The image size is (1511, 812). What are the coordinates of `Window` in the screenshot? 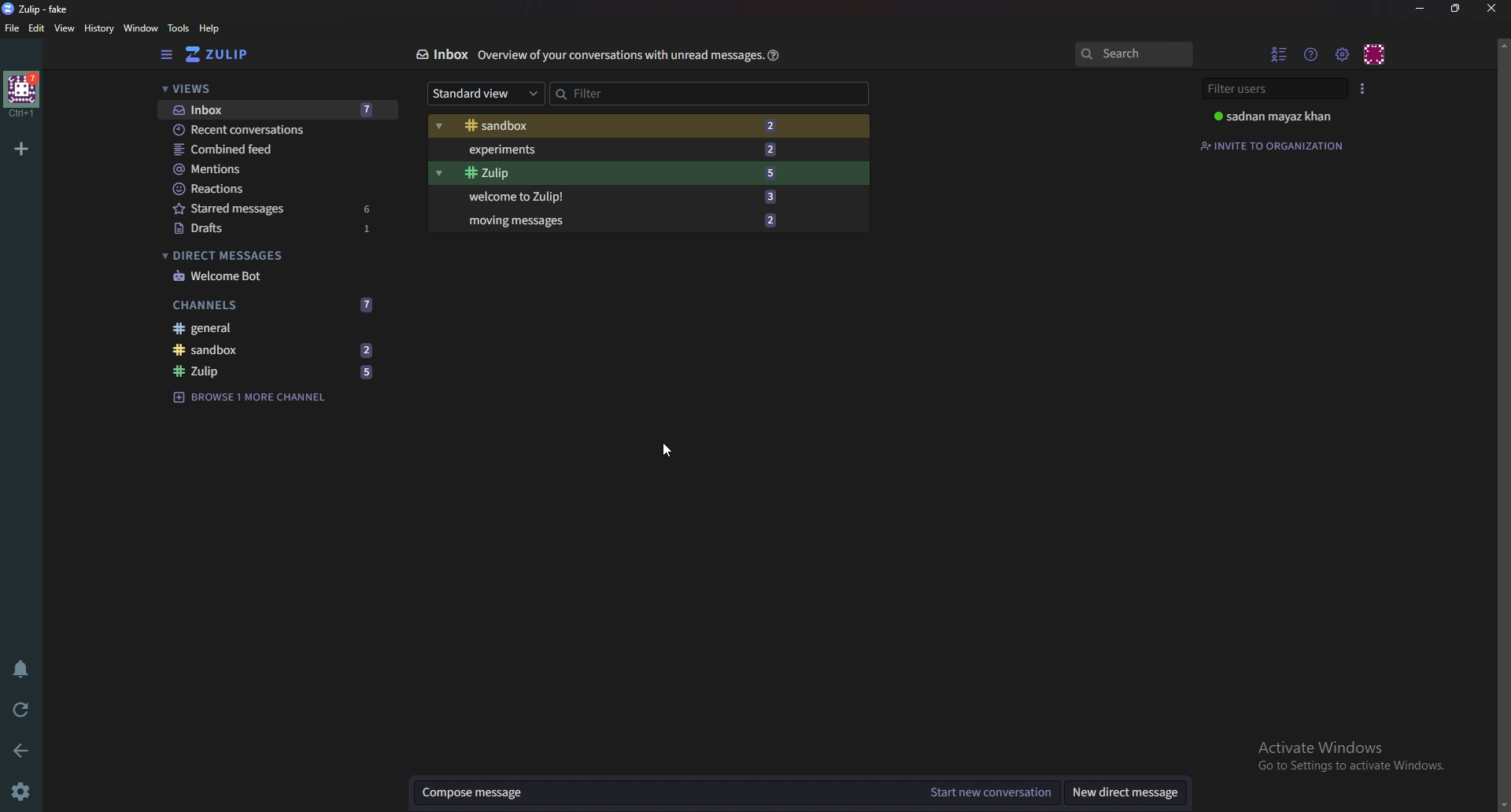 It's located at (142, 28).